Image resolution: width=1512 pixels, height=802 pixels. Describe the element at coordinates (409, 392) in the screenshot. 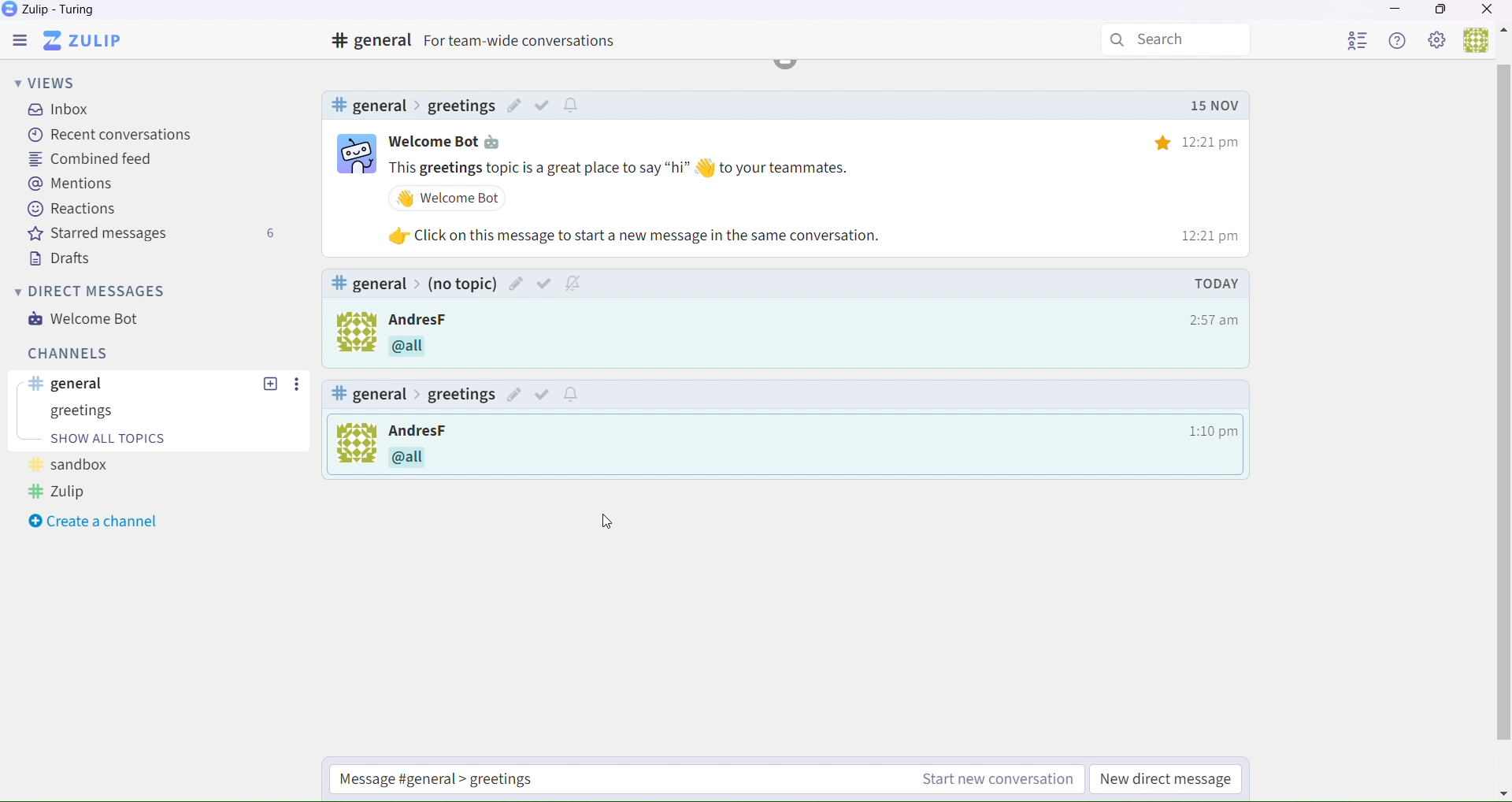

I see `#general> (No Topic)` at that location.